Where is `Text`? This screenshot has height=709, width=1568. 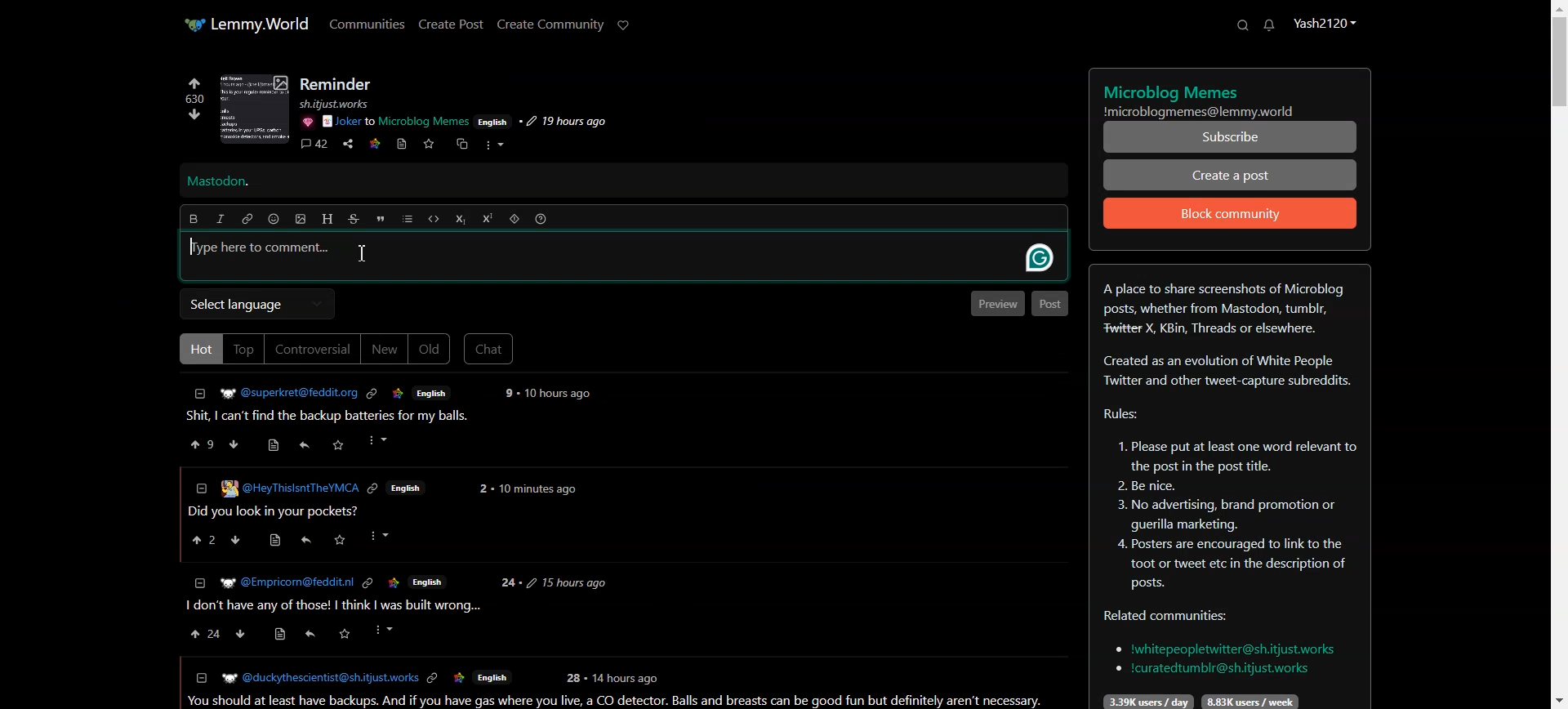
Text is located at coordinates (337, 84).